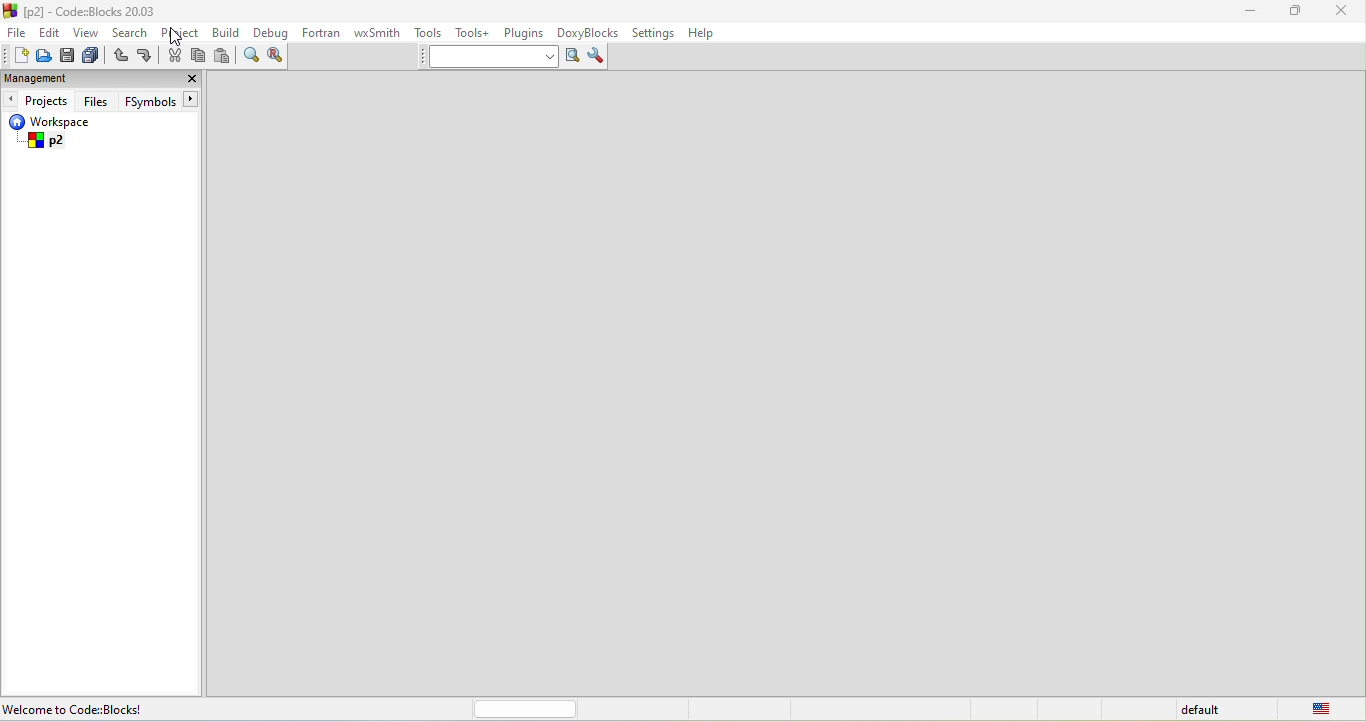  What do you see at coordinates (199, 56) in the screenshot?
I see `copy` at bounding box center [199, 56].